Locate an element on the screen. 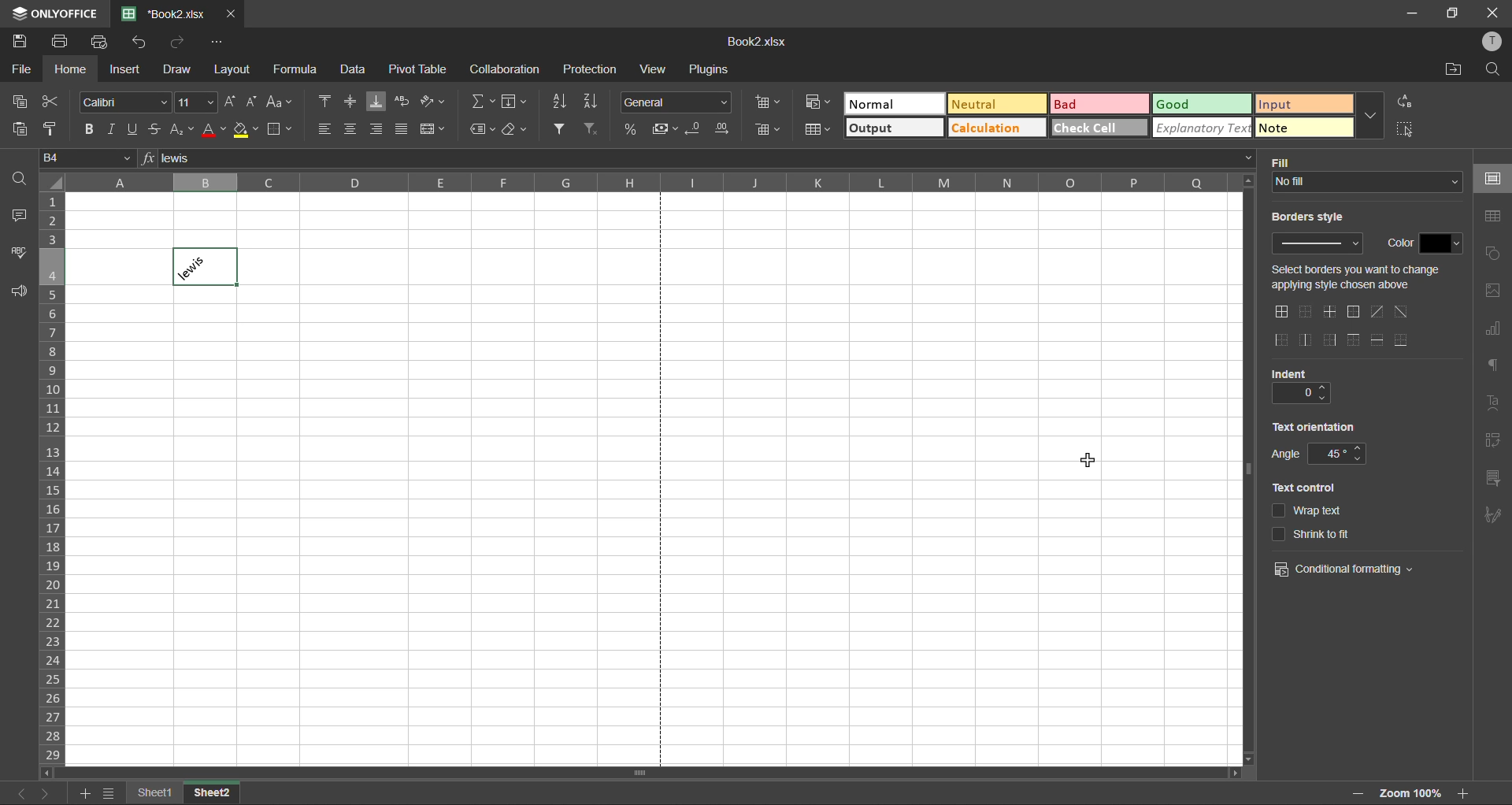  sub/superscript is located at coordinates (183, 129).